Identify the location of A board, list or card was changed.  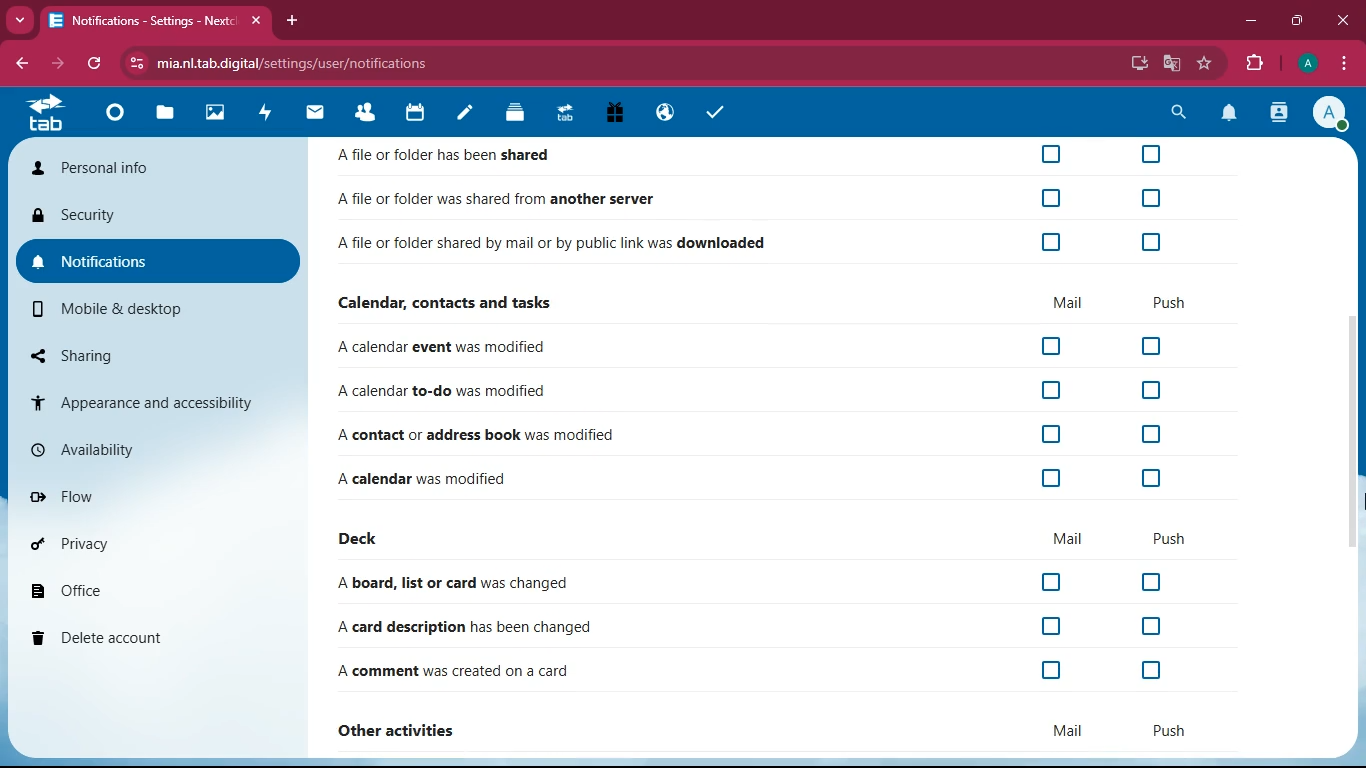
(463, 581).